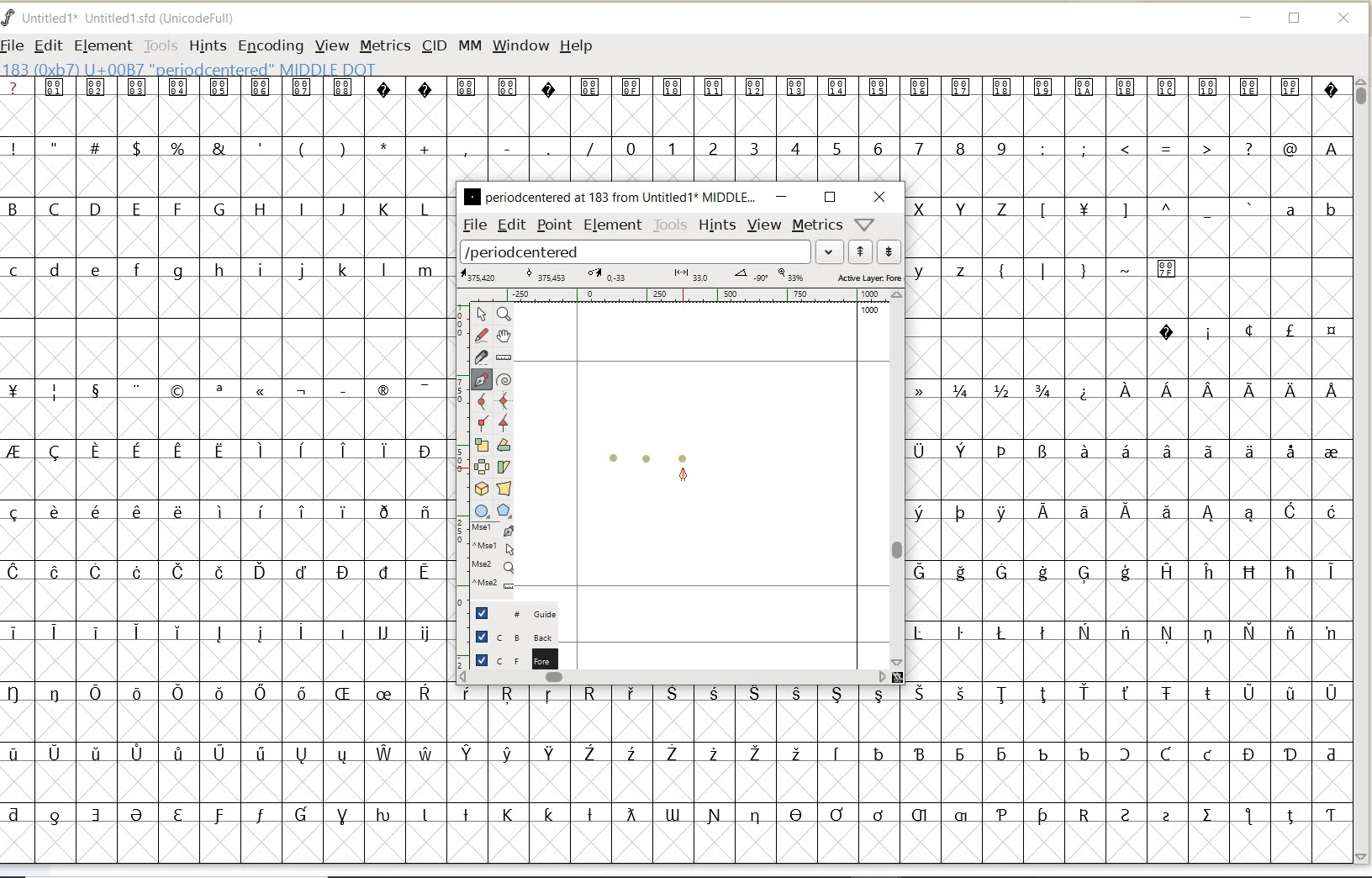 This screenshot has width=1372, height=878. I want to click on show previous word list, so click(862, 252).